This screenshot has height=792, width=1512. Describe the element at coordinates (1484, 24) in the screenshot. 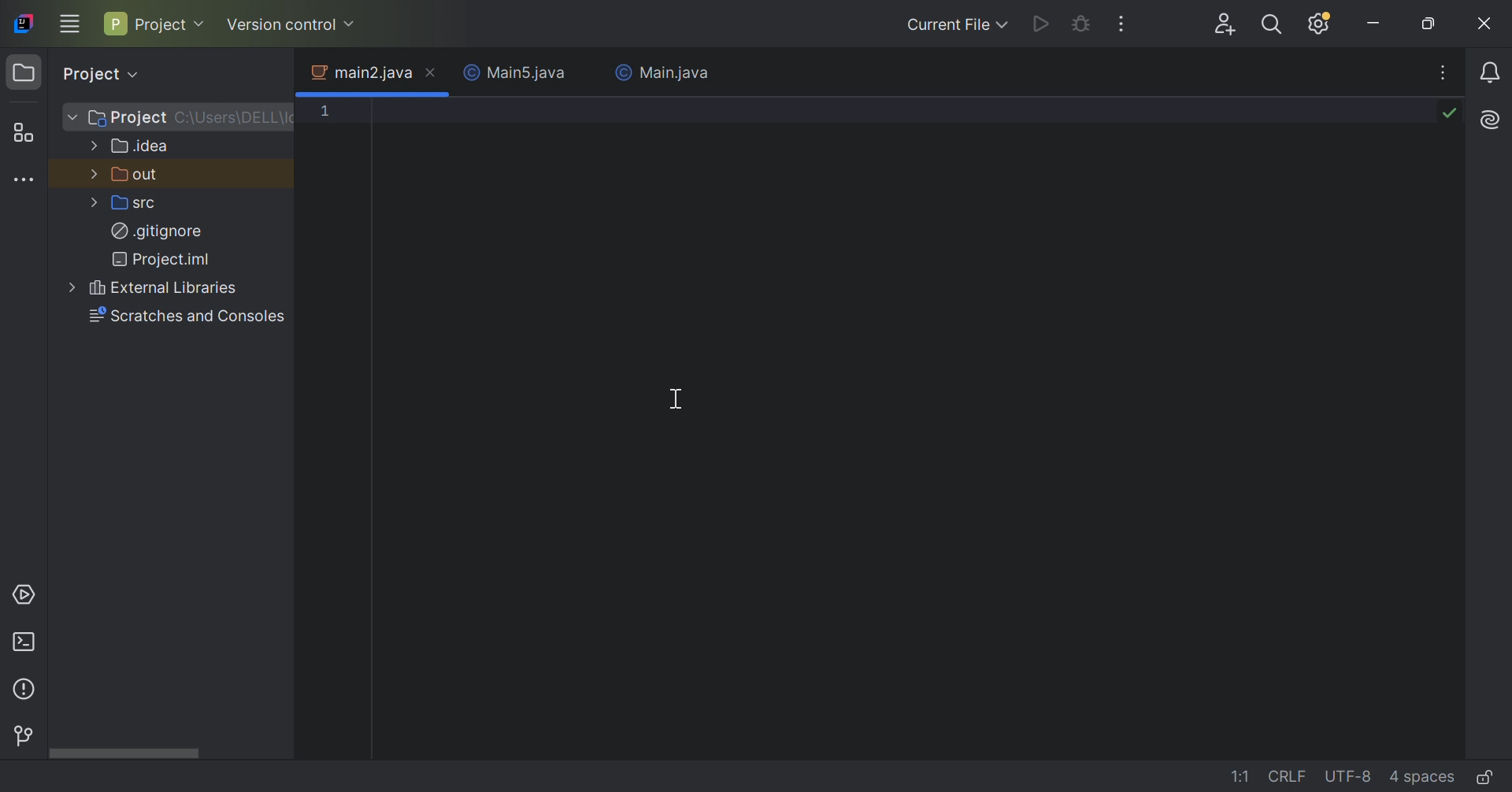

I see `Close` at that location.